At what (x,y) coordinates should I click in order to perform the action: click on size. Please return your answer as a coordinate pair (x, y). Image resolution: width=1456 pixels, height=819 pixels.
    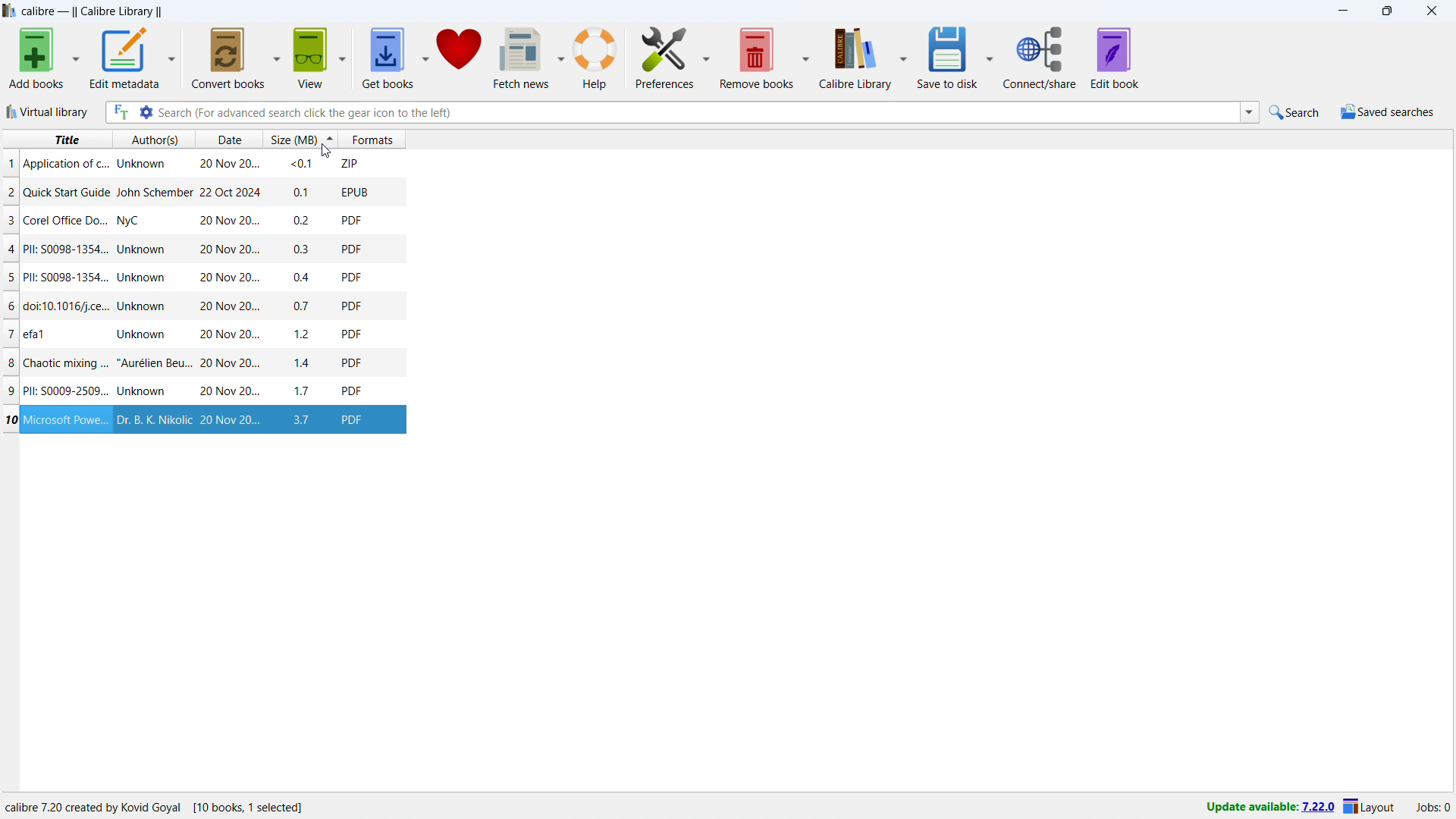
    Looking at the image, I should click on (305, 389).